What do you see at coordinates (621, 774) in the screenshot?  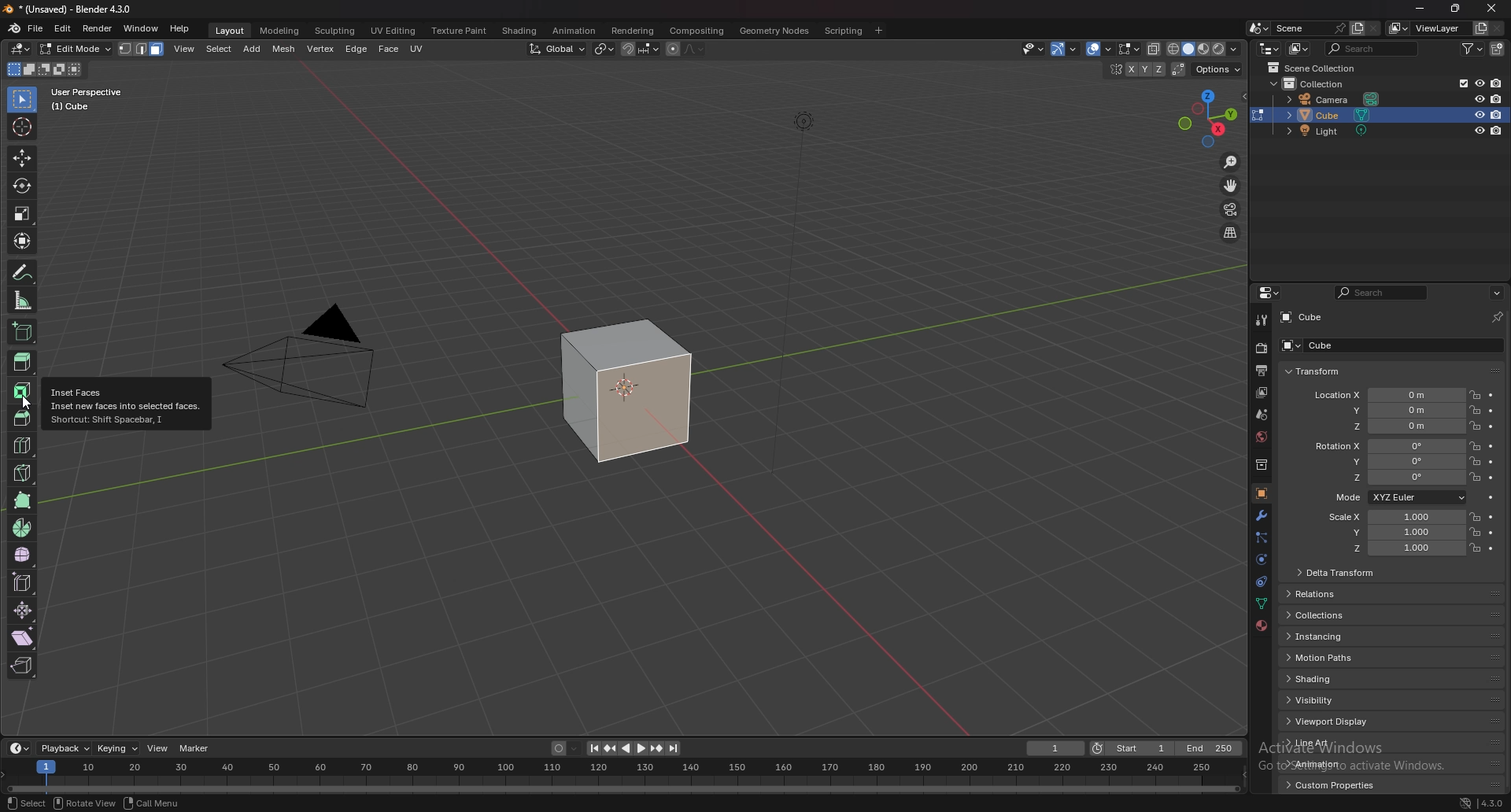 I see `` at bounding box center [621, 774].